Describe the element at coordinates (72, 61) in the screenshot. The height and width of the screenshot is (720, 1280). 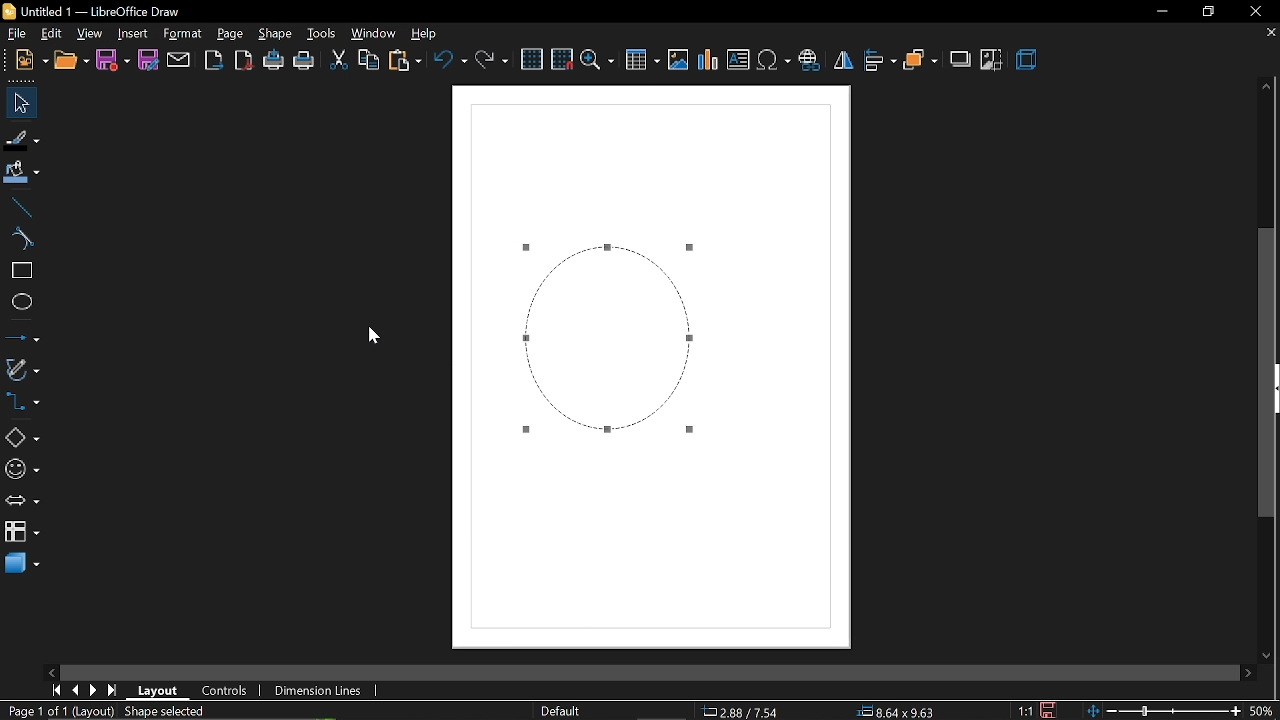
I see `new` at that location.